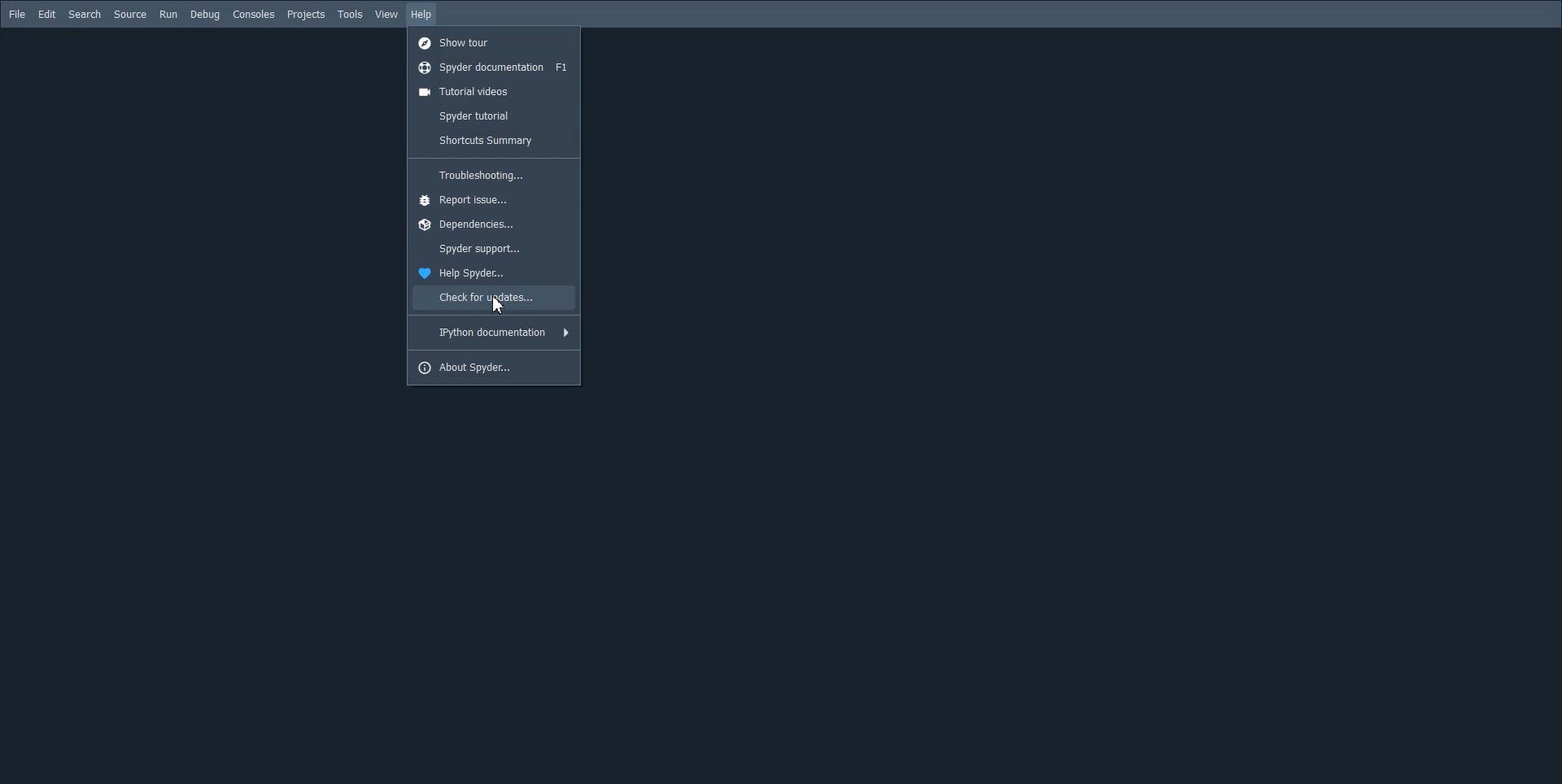  I want to click on Tutorial videos, so click(494, 93).